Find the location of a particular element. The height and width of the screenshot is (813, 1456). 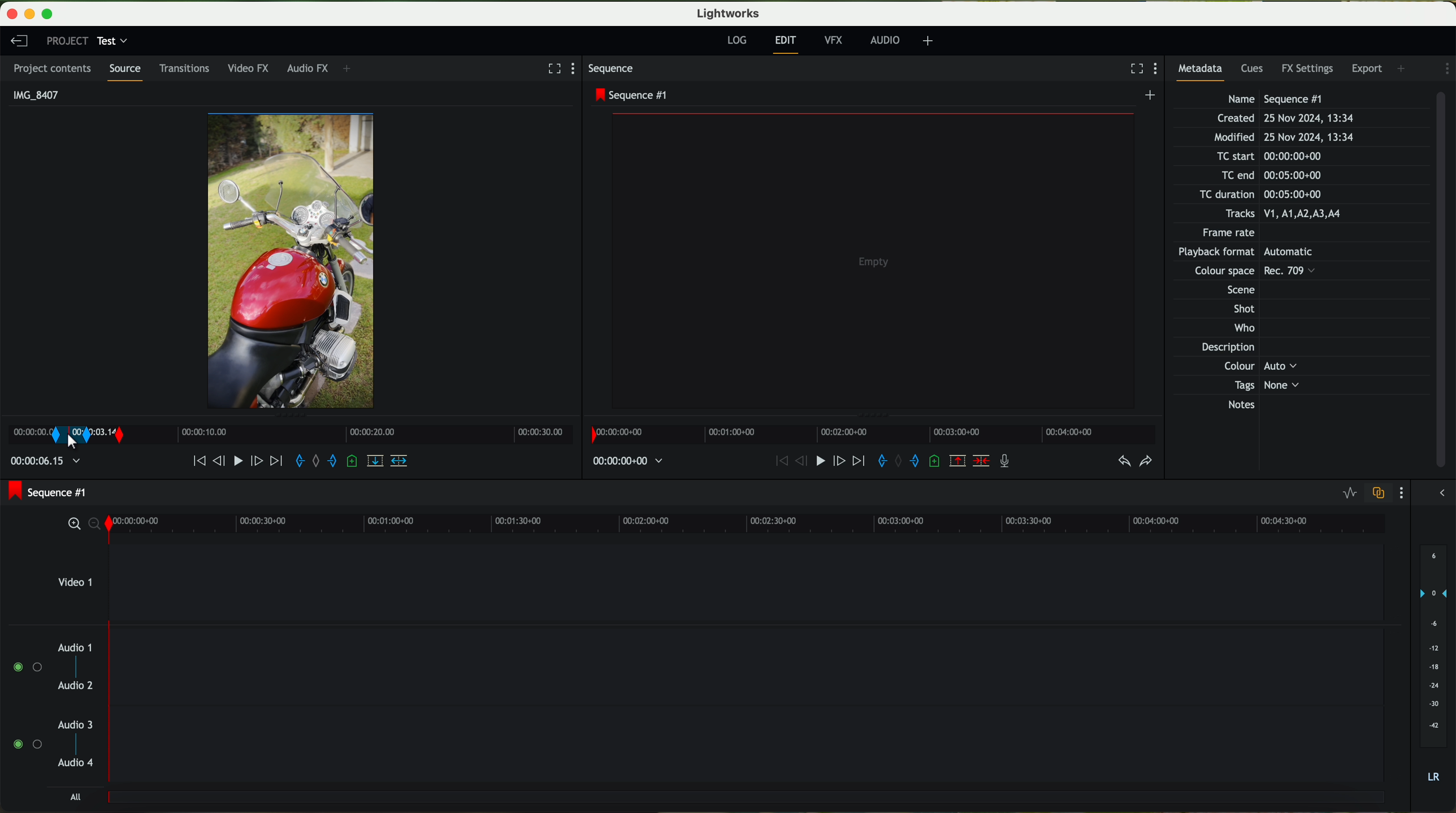

Name is located at coordinates (1278, 98).